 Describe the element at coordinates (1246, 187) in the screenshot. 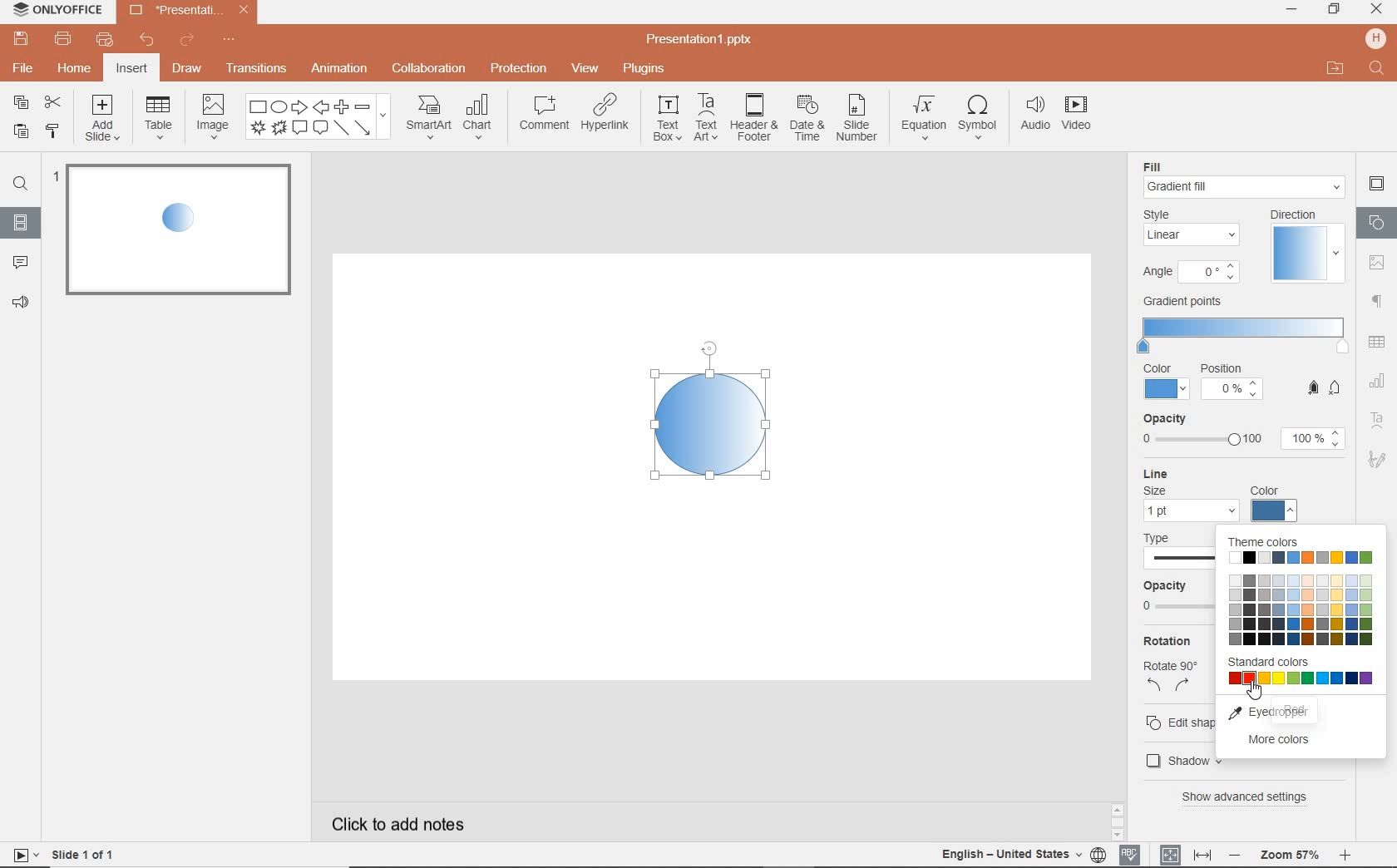

I see `gradient fill` at that location.